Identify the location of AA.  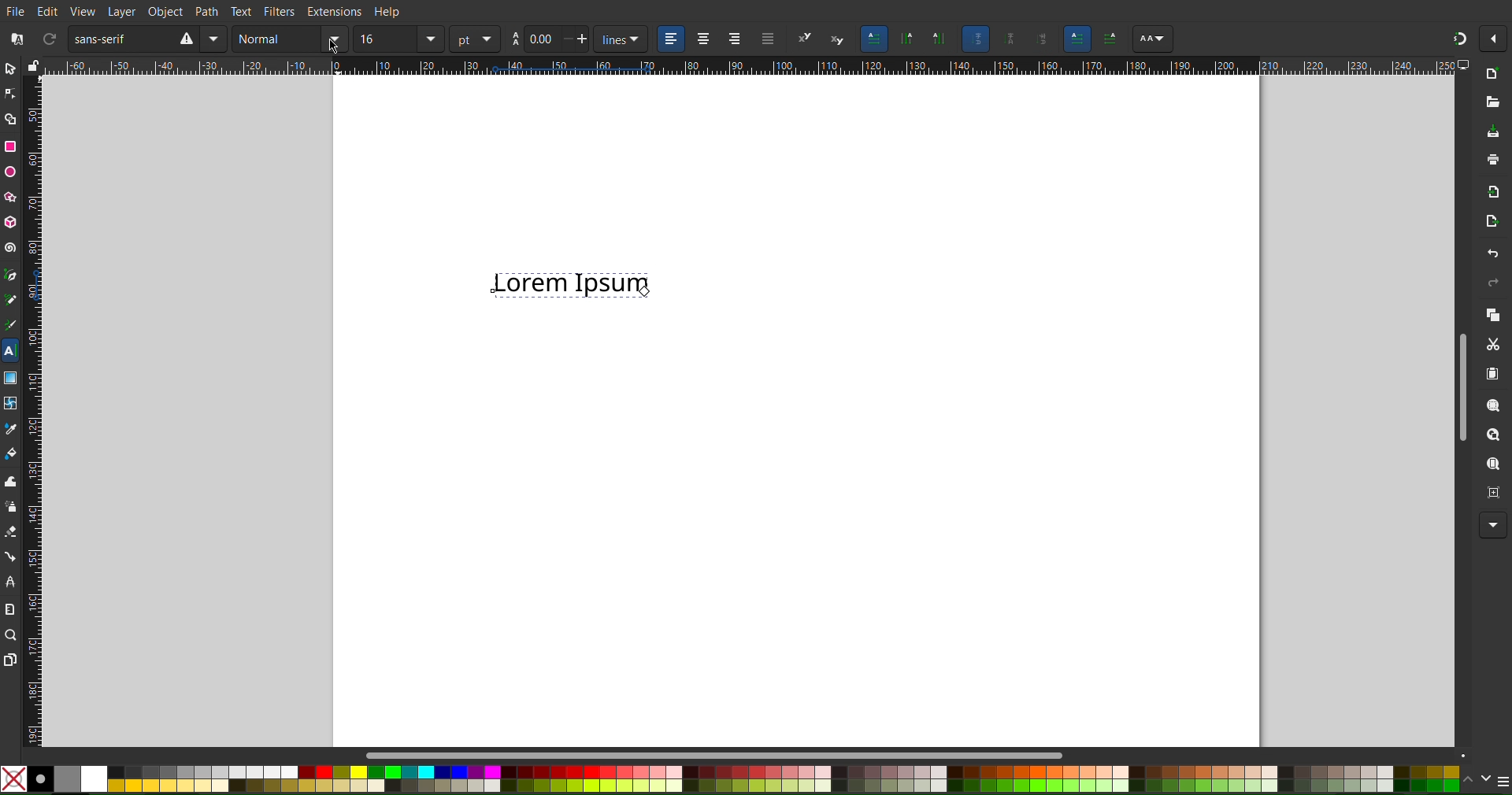
(1152, 40).